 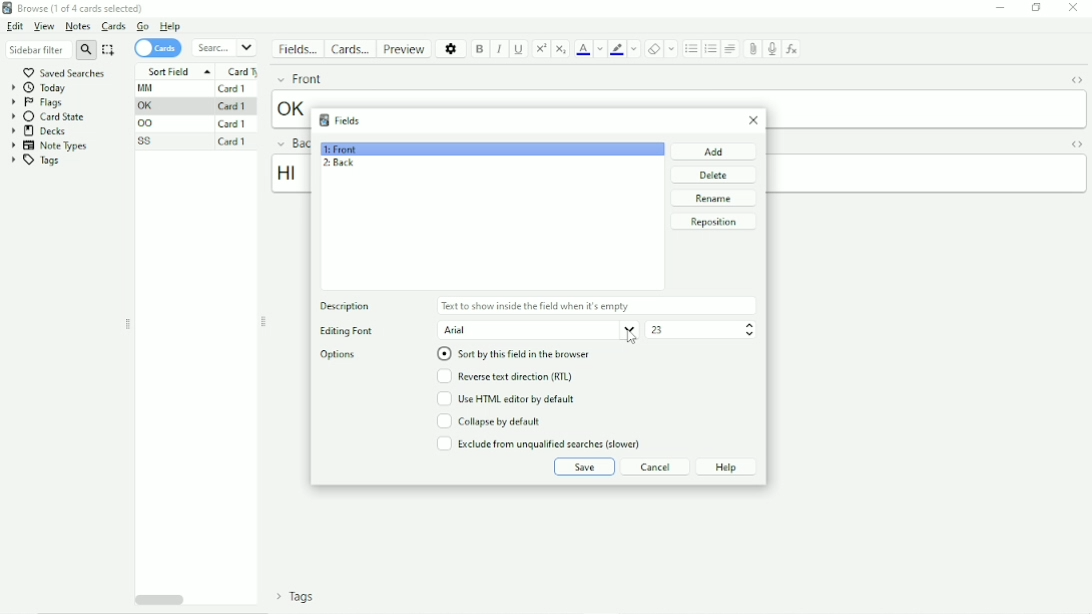 What do you see at coordinates (345, 332) in the screenshot?
I see `Editing Font` at bounding box center [345, 332].